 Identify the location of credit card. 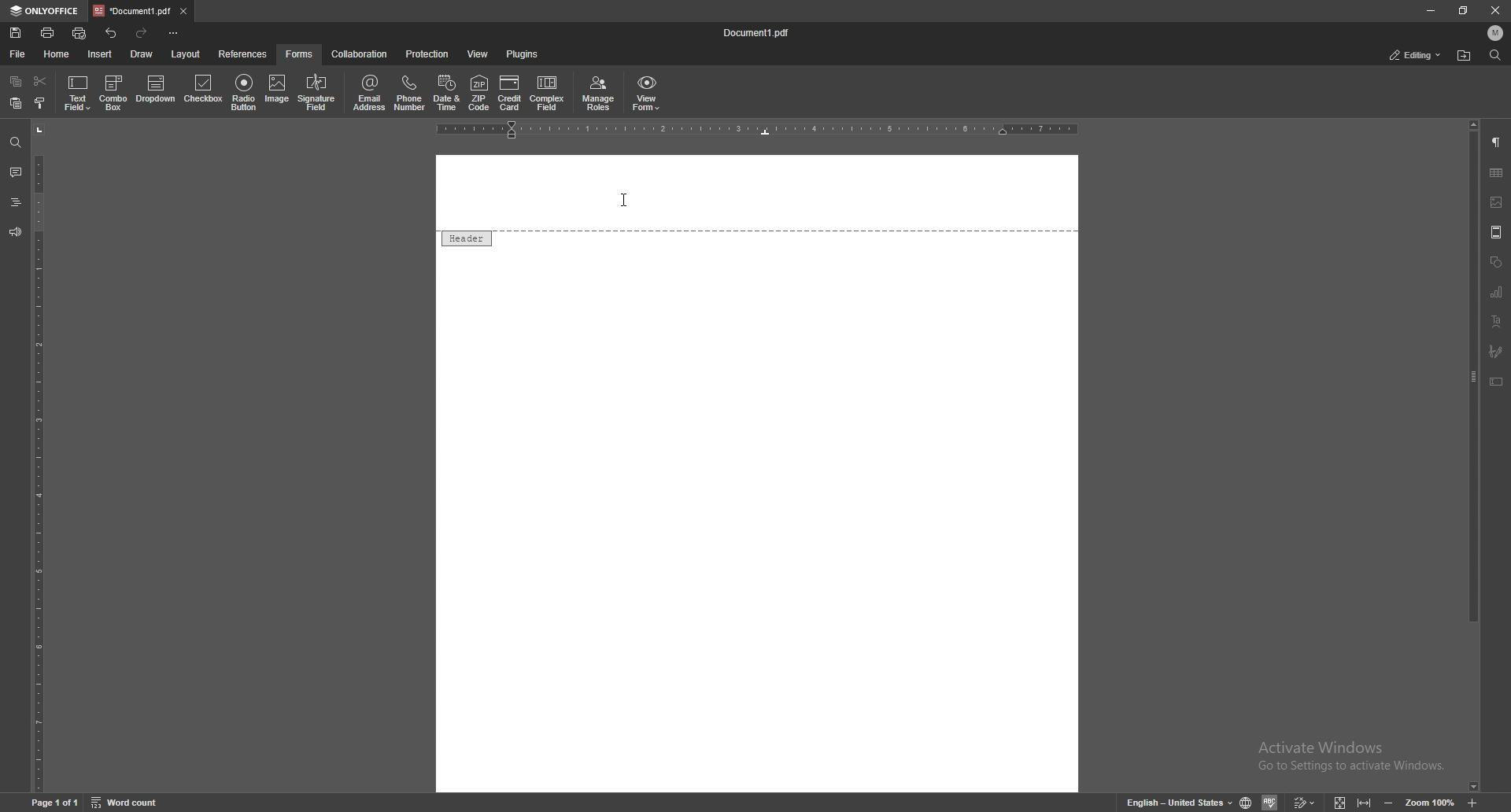
(509, 94).